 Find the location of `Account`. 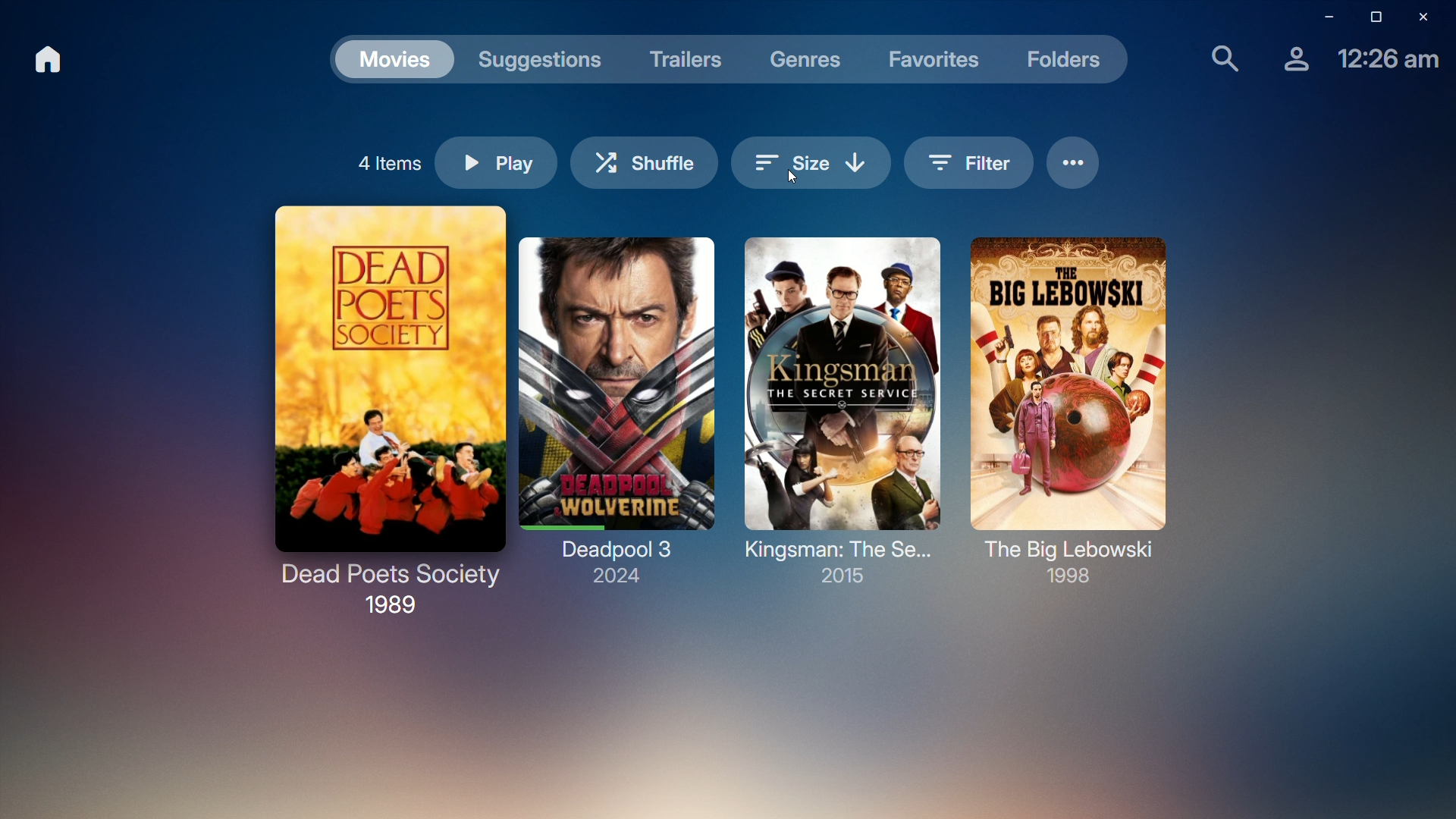

Account is located at coordinates (1288, 64).